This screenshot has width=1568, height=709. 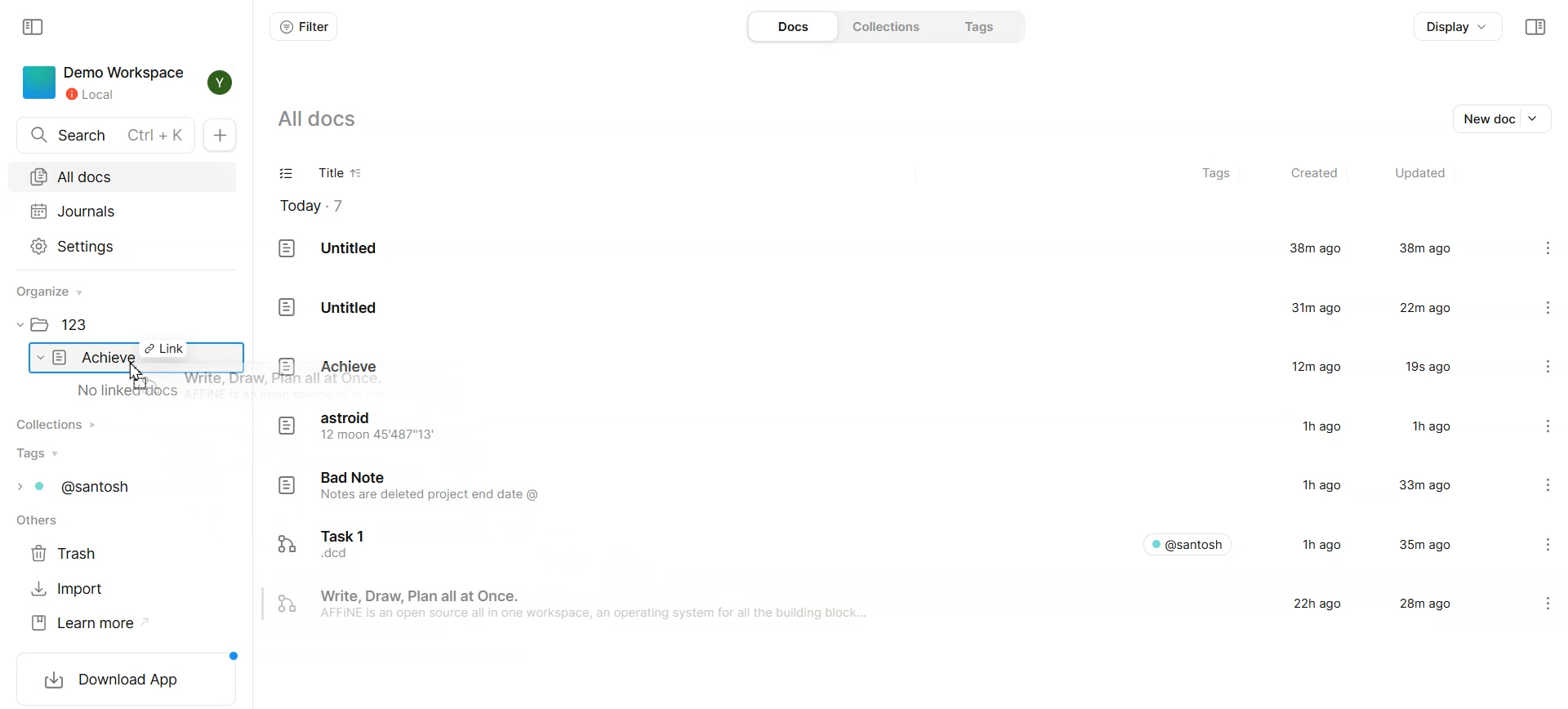 I want to click on no linked docs, so click(x=130, y=391).